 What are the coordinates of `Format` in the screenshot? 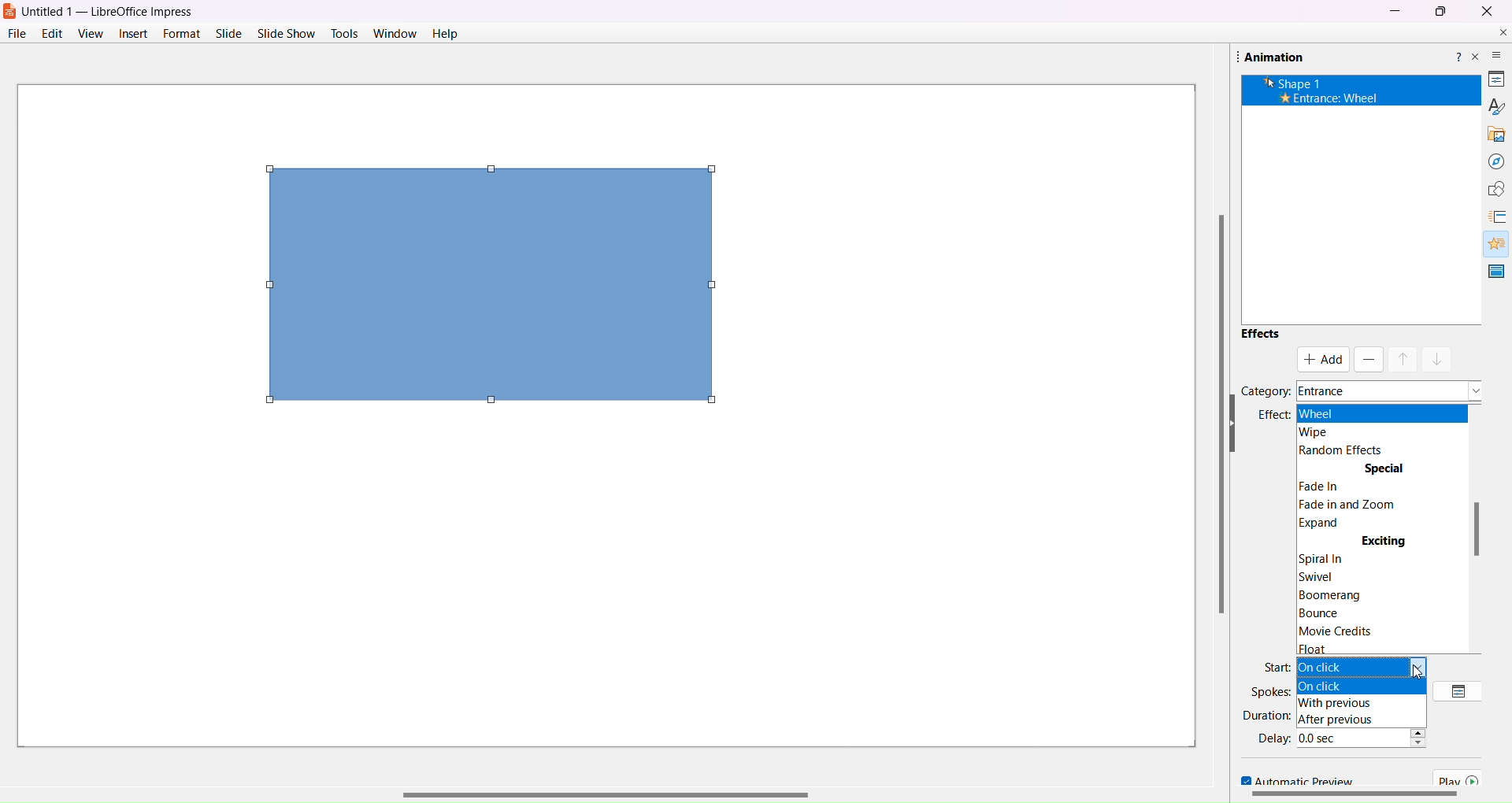 It's located at (180, 33).